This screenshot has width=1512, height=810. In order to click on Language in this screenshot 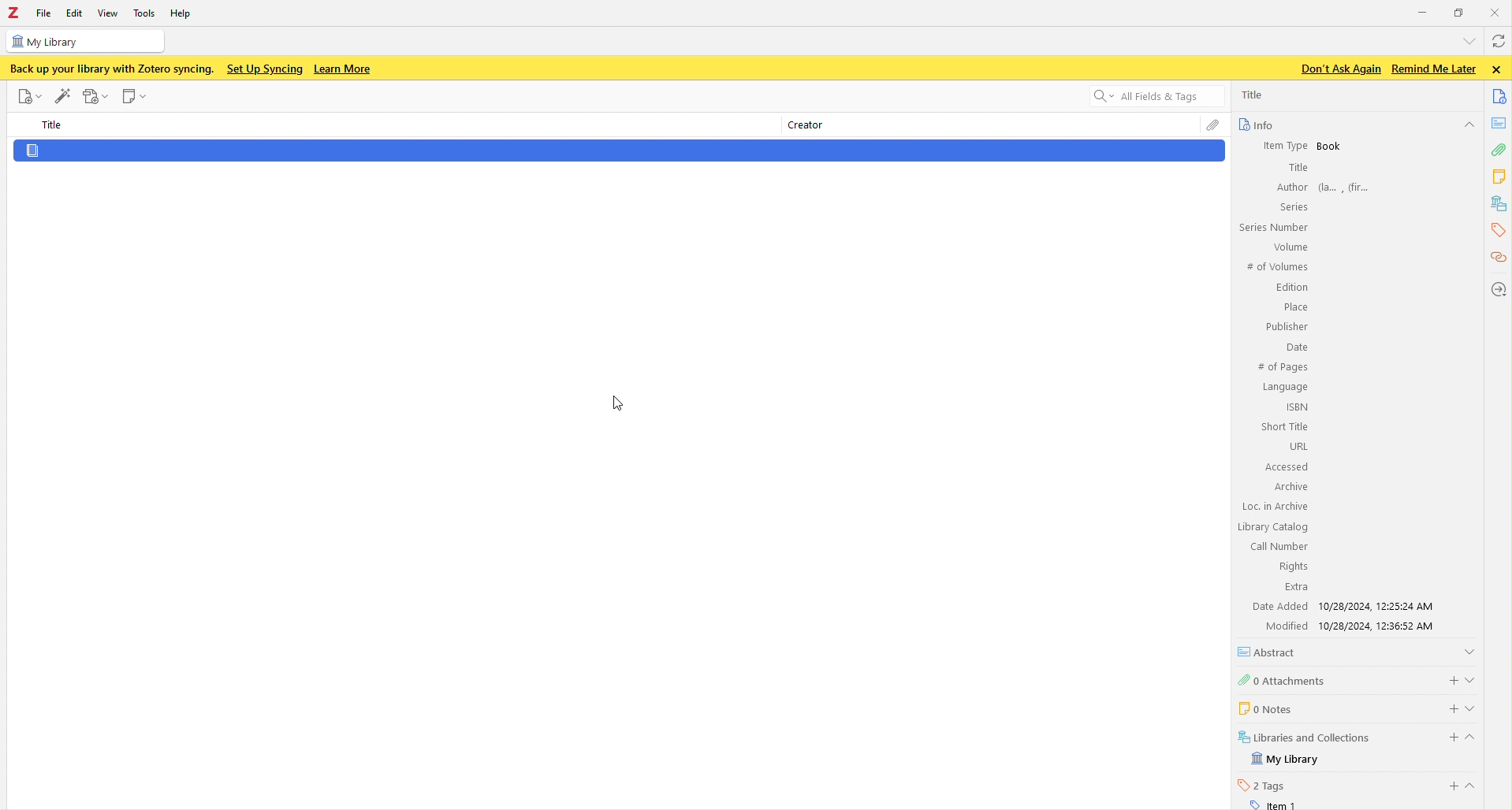, I will do `click(1285, 388)`.